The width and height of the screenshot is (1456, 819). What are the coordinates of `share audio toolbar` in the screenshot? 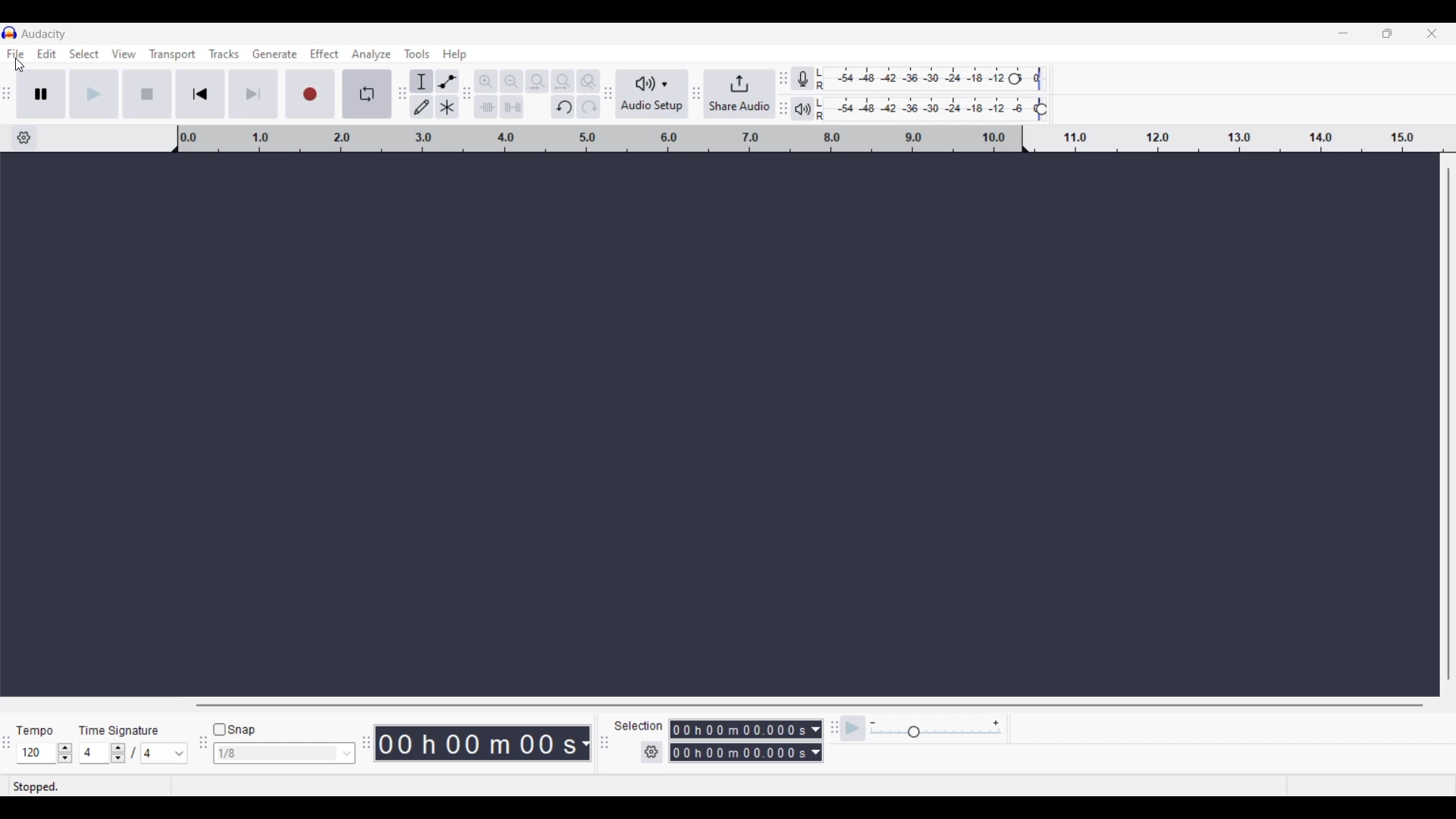 It's located at (694, 95).